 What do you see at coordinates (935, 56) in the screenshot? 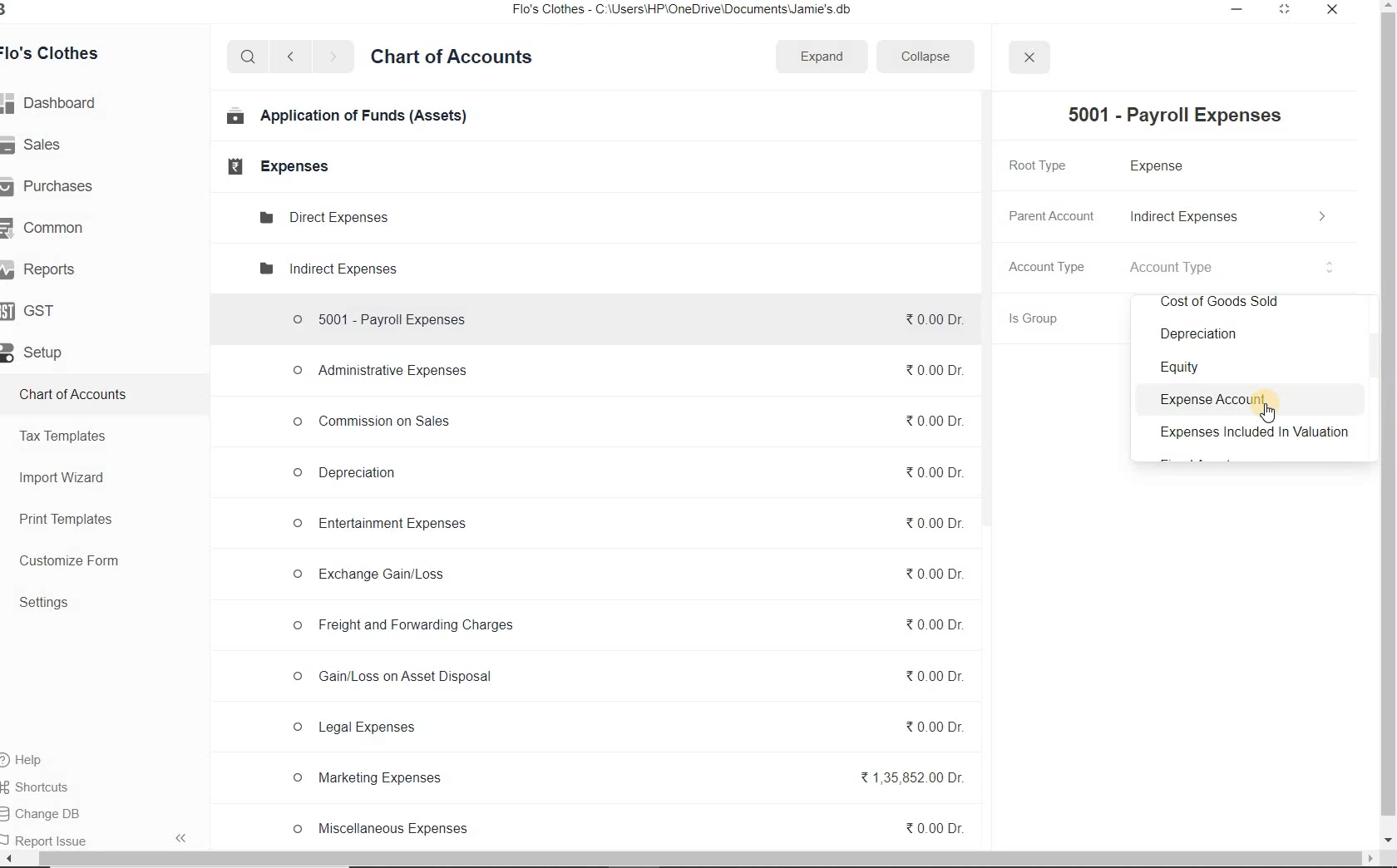
I see `Collapse` at bounding box center [935, 56].